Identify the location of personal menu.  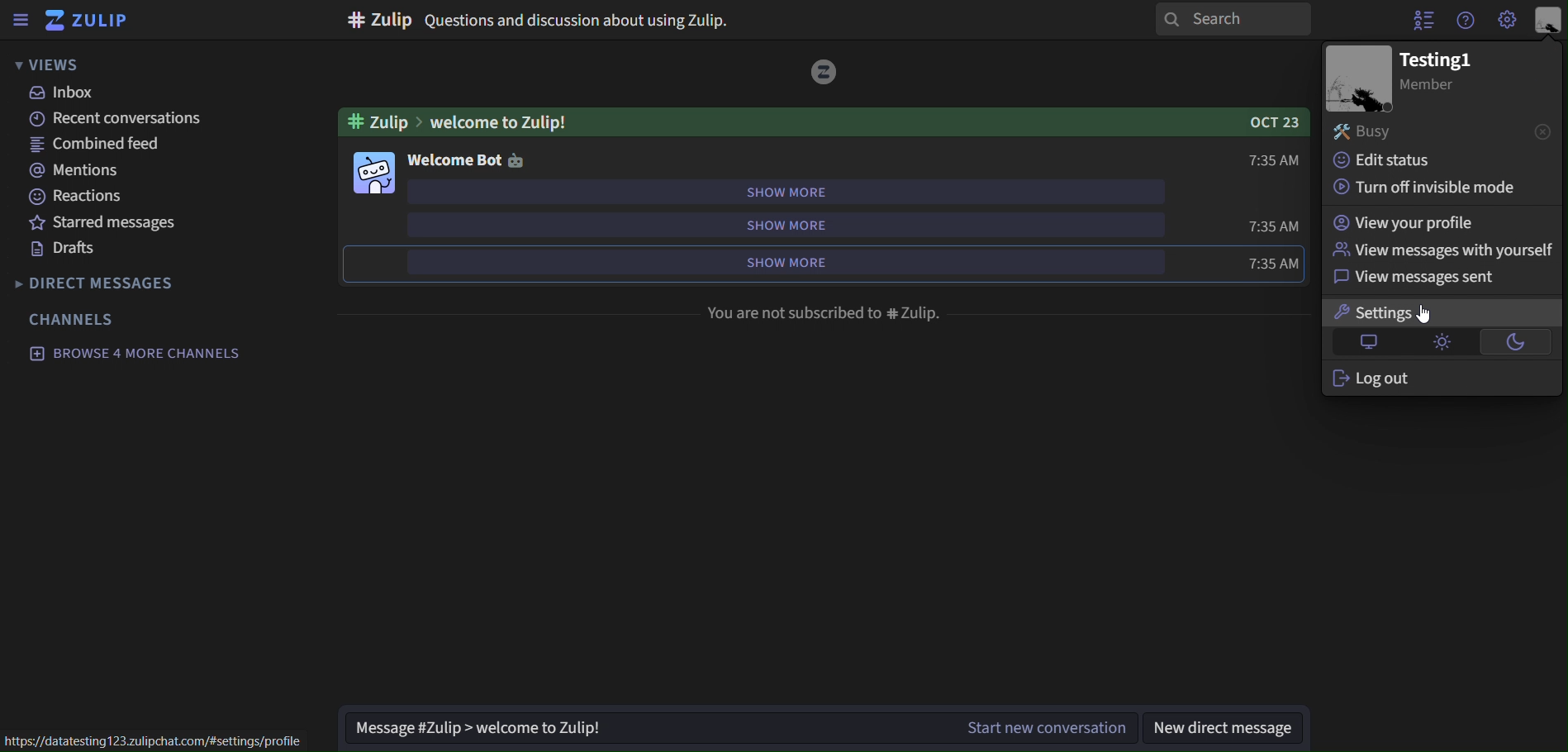
(1549, 21).